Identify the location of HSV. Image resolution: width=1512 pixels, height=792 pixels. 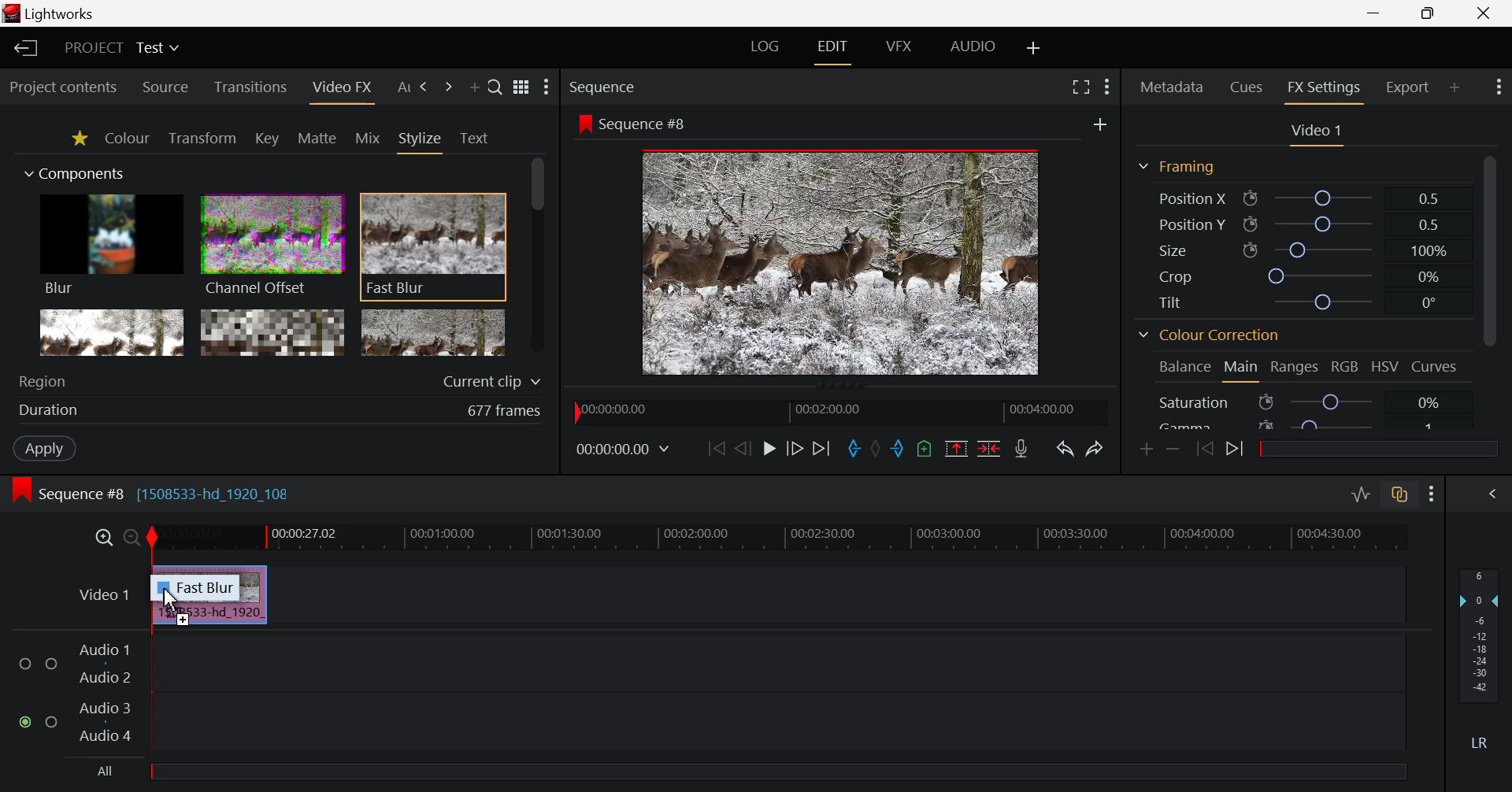
(1384, 367).